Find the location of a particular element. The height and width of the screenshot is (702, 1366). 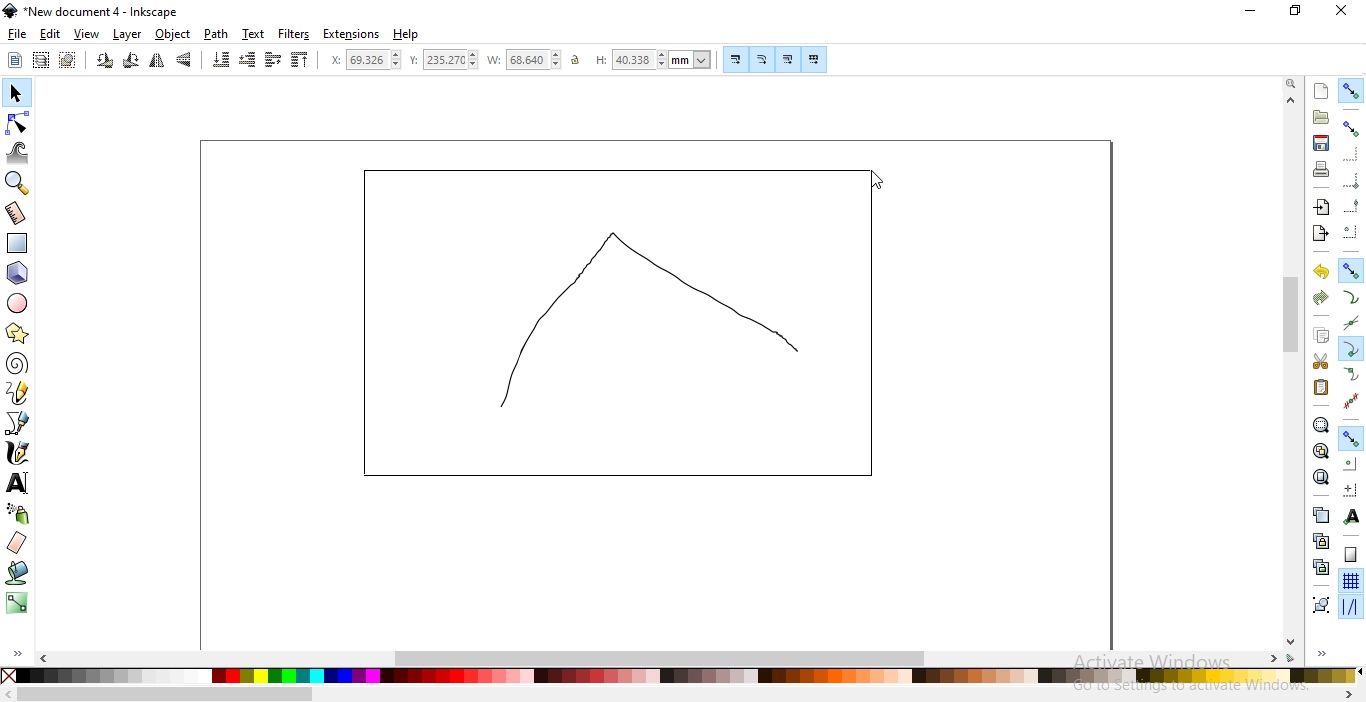

print document is located at coordinates (1320, 169).